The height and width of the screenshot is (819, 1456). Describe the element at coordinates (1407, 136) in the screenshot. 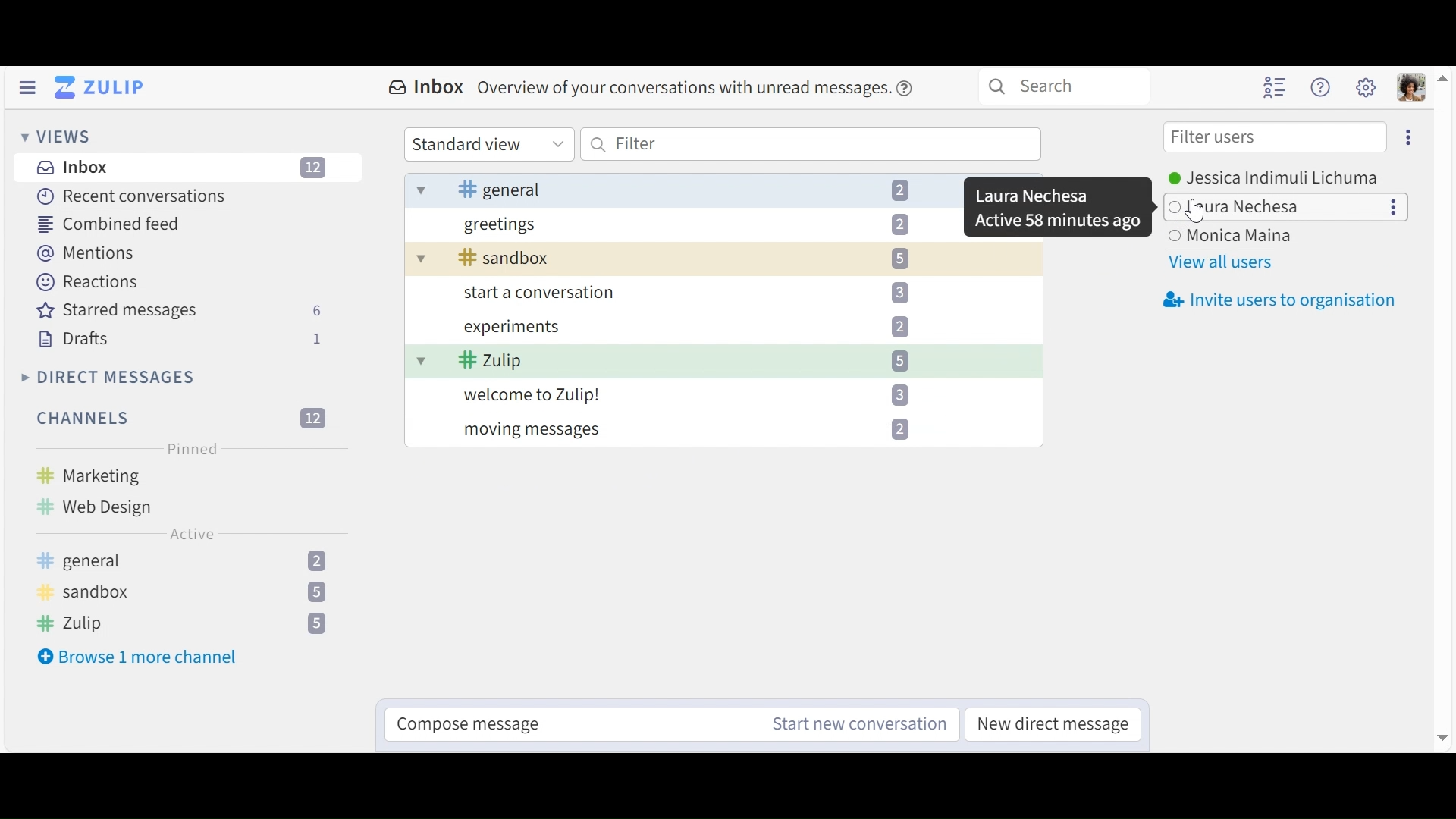

I see `Eclipse` at that location.